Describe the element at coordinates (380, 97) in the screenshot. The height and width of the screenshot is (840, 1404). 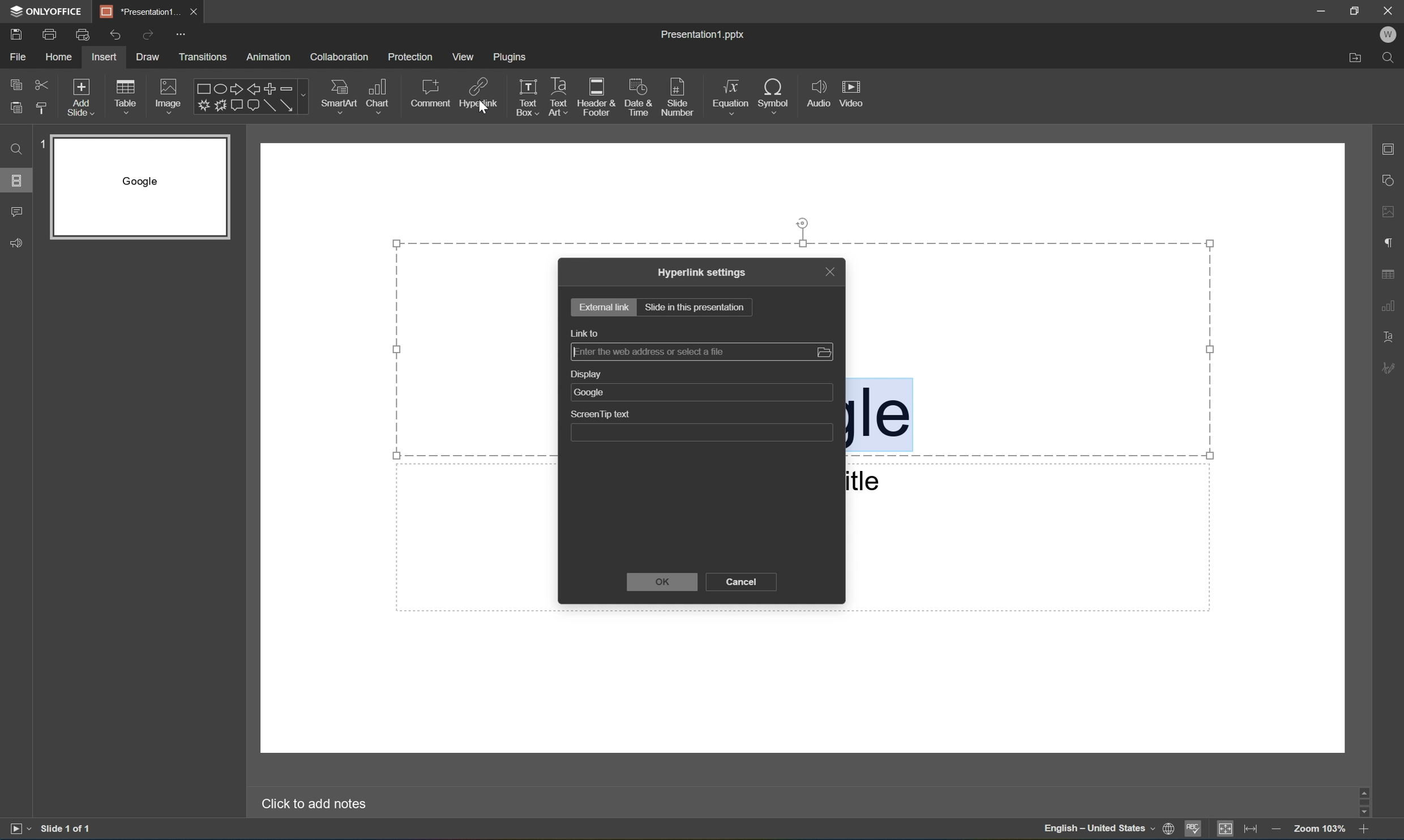
I see `Chart` at that location.